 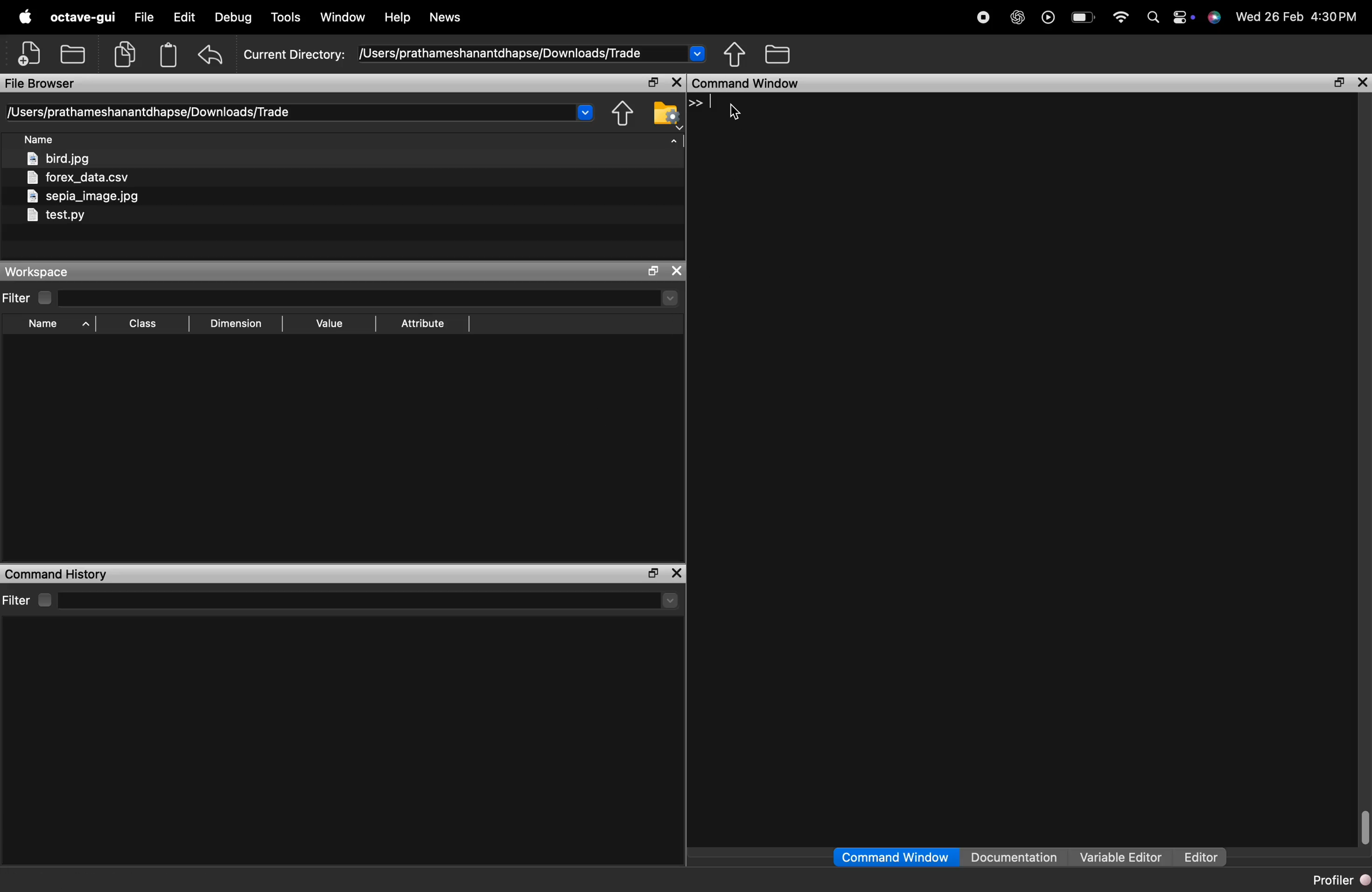 I want to click on command window, so click(x=748, y=82).